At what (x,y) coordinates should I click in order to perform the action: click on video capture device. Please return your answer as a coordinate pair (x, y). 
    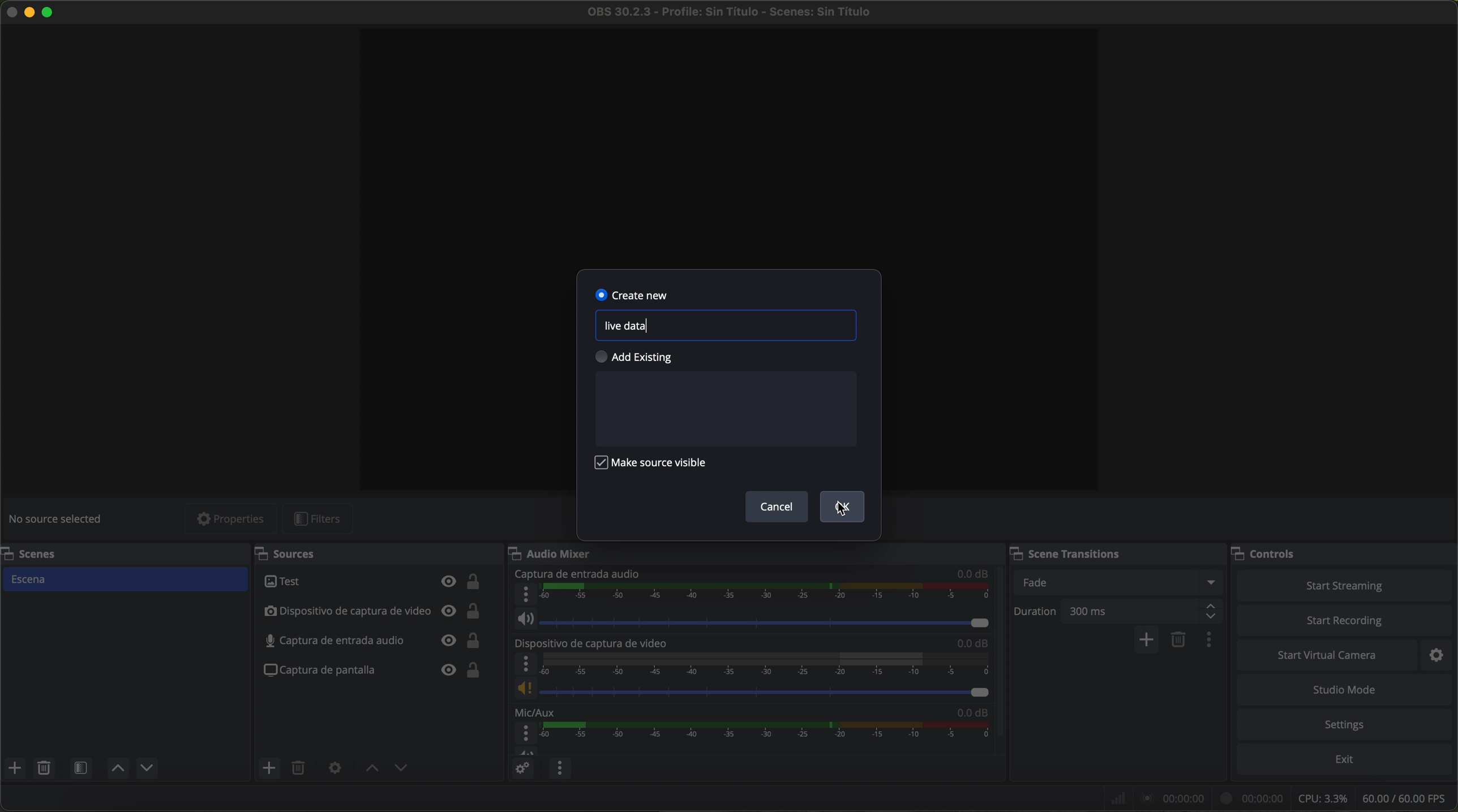
    Looking at the image, I should click on (593, 643).